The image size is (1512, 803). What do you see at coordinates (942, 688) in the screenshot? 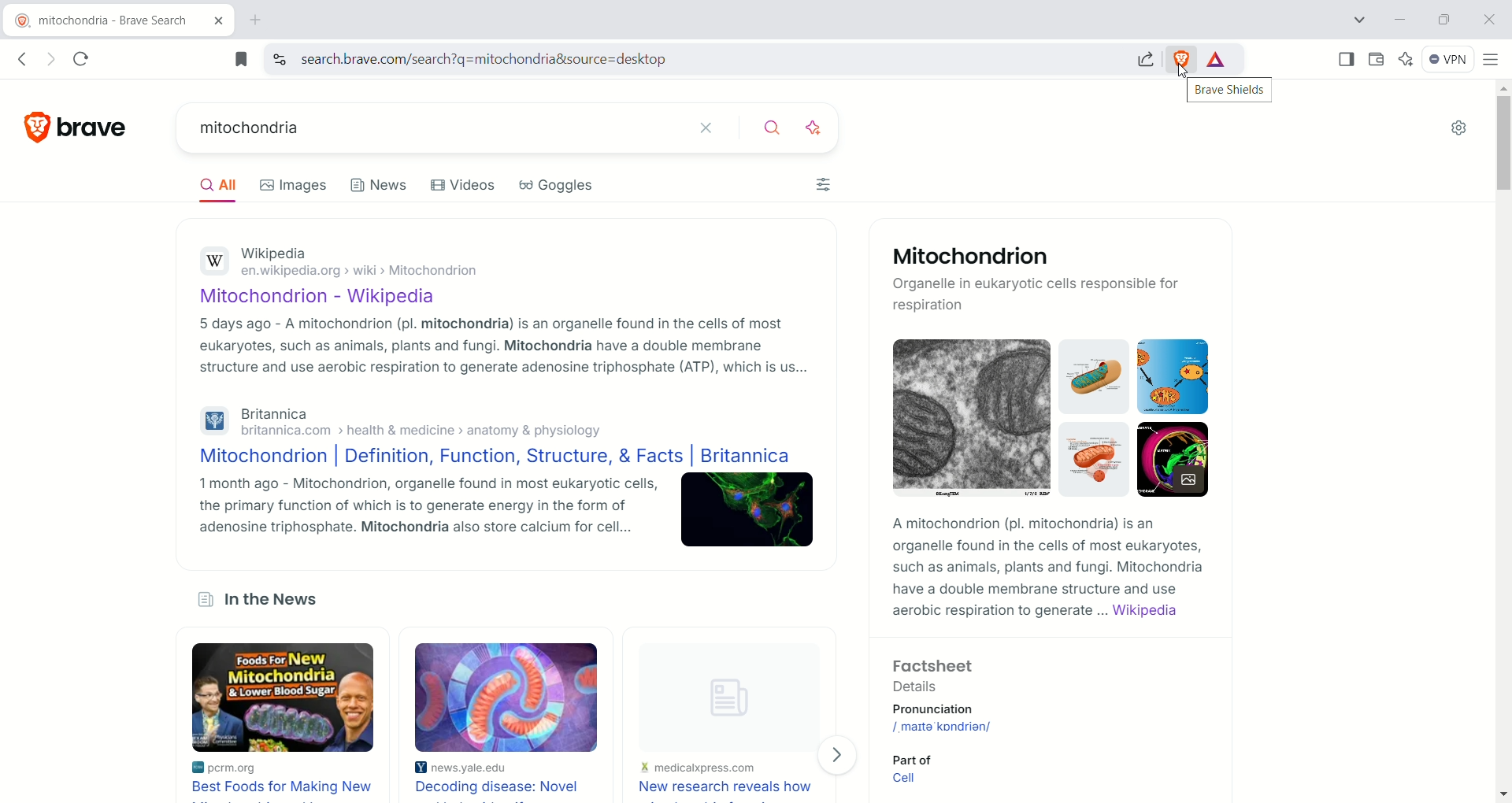
I see `Factsheet
Details
Pronunciation` at bounding box center [942, 688].